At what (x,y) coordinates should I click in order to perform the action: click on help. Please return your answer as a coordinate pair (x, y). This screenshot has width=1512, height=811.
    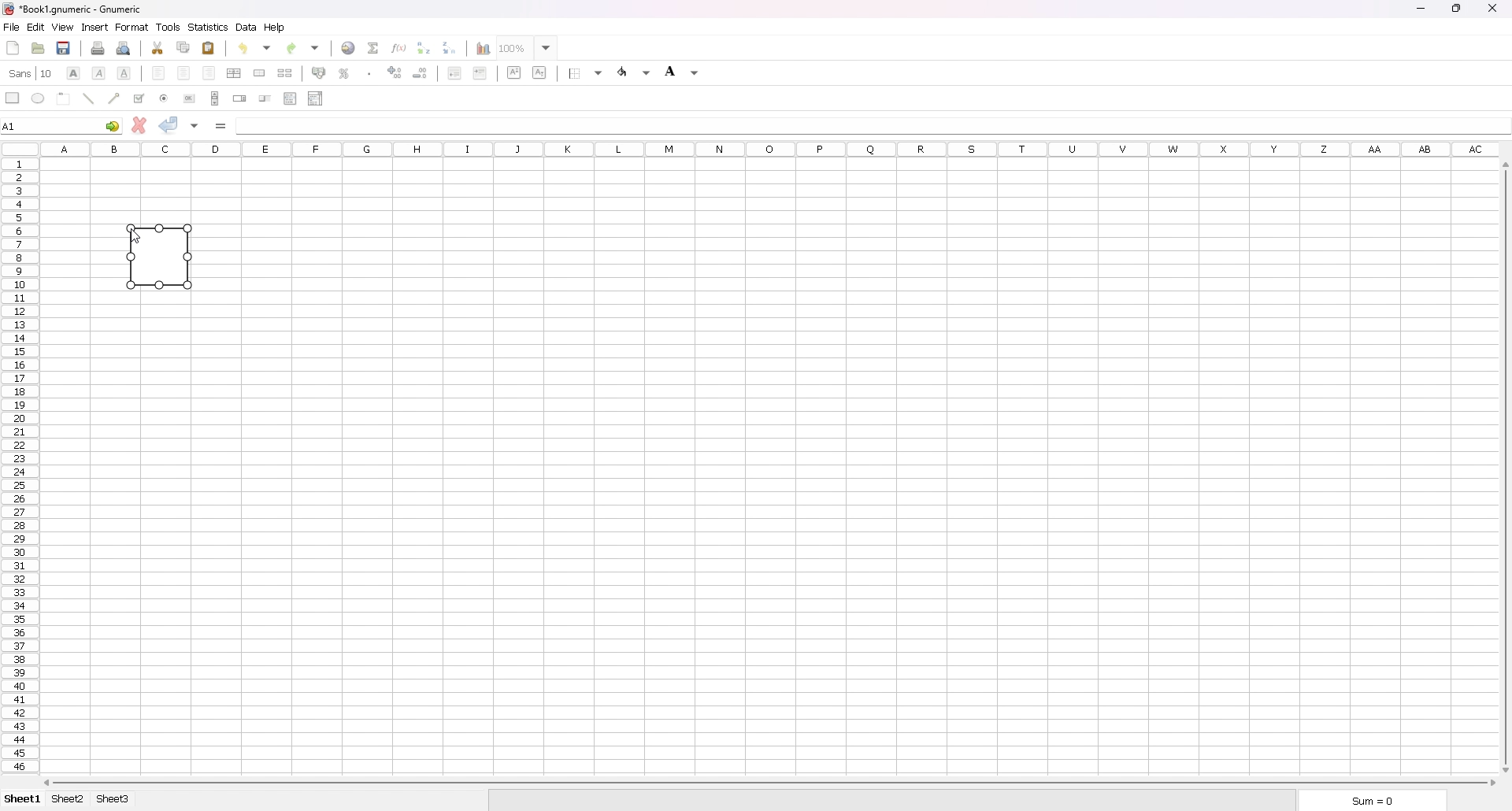
    Looking at the image, I should click on (275, 27).